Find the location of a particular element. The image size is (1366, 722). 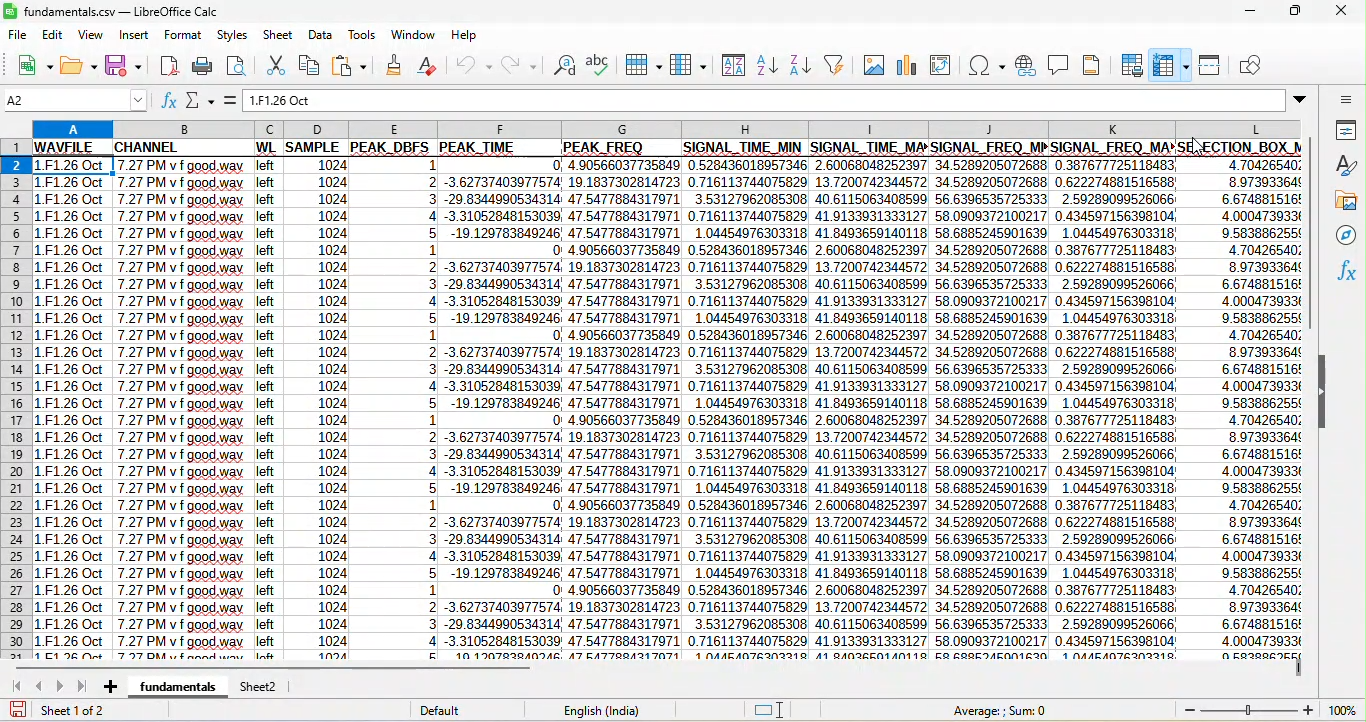

undo is located at coordinates (474, 65).